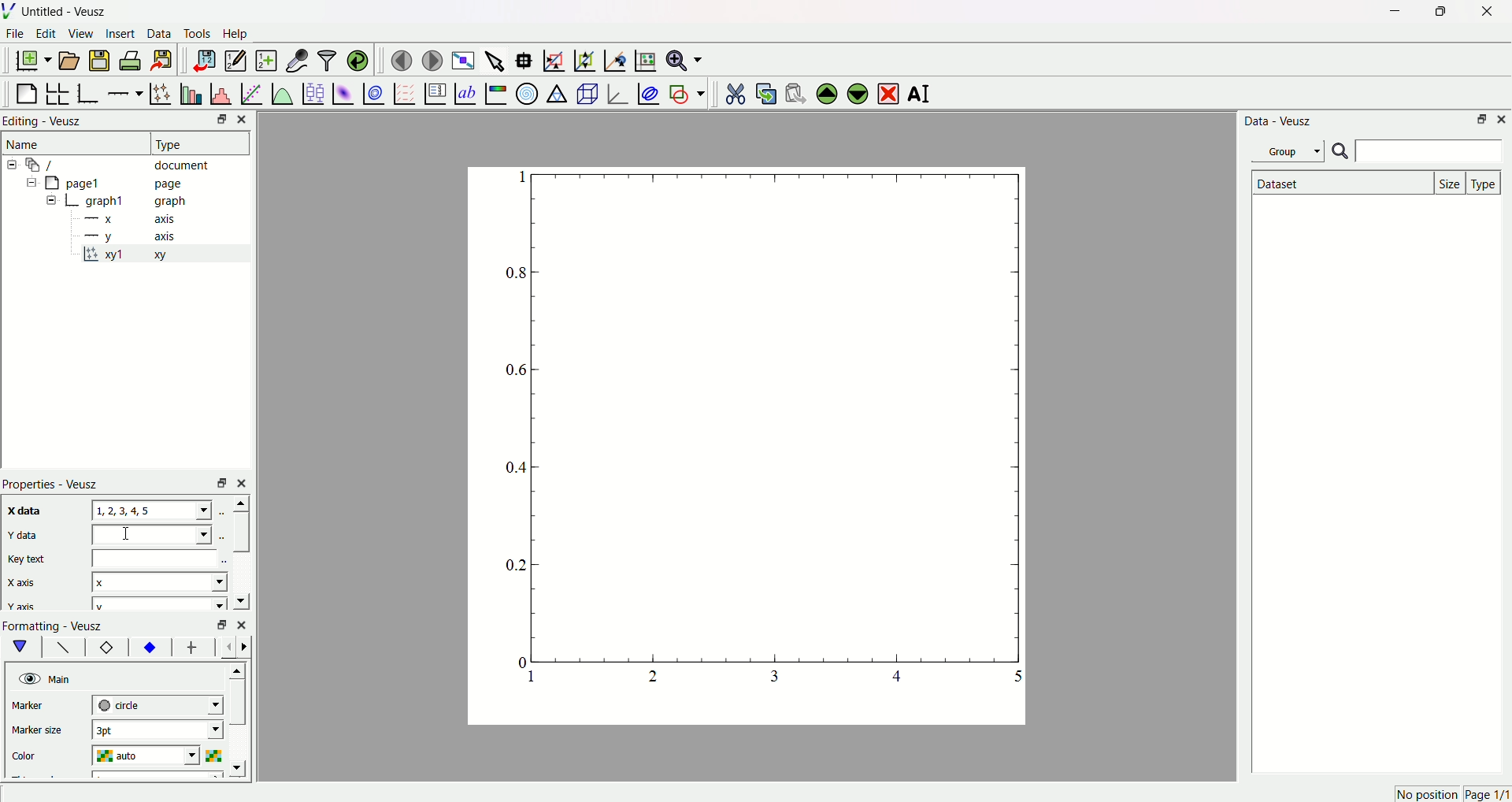 The image size is (1512, 802). I want to click on page, so click(736, 450).